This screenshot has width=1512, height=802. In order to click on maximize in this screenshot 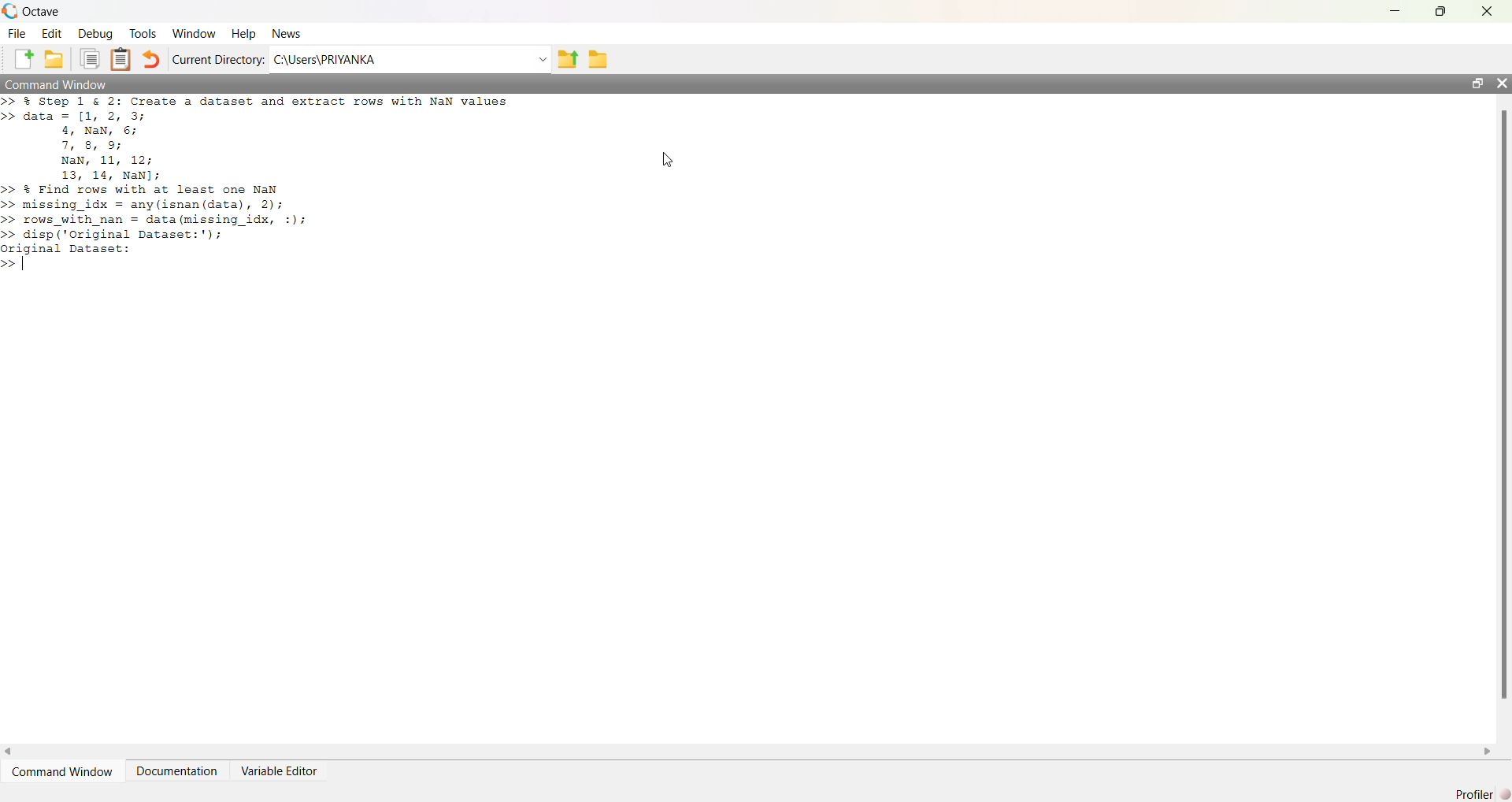, I will do `click(1477, 83)`.